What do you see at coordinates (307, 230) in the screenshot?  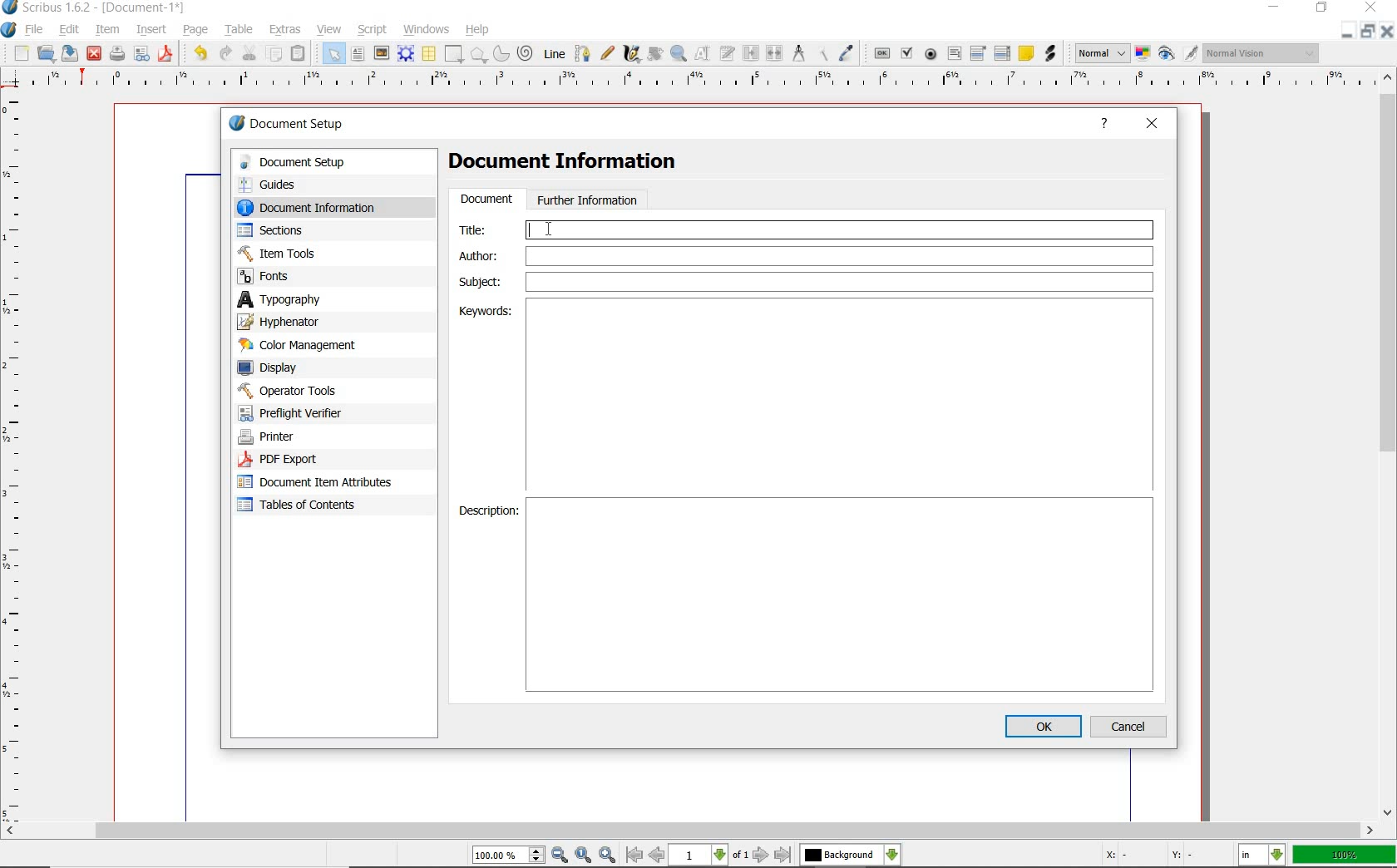 I see `sections` at bounding box center [307, 230].